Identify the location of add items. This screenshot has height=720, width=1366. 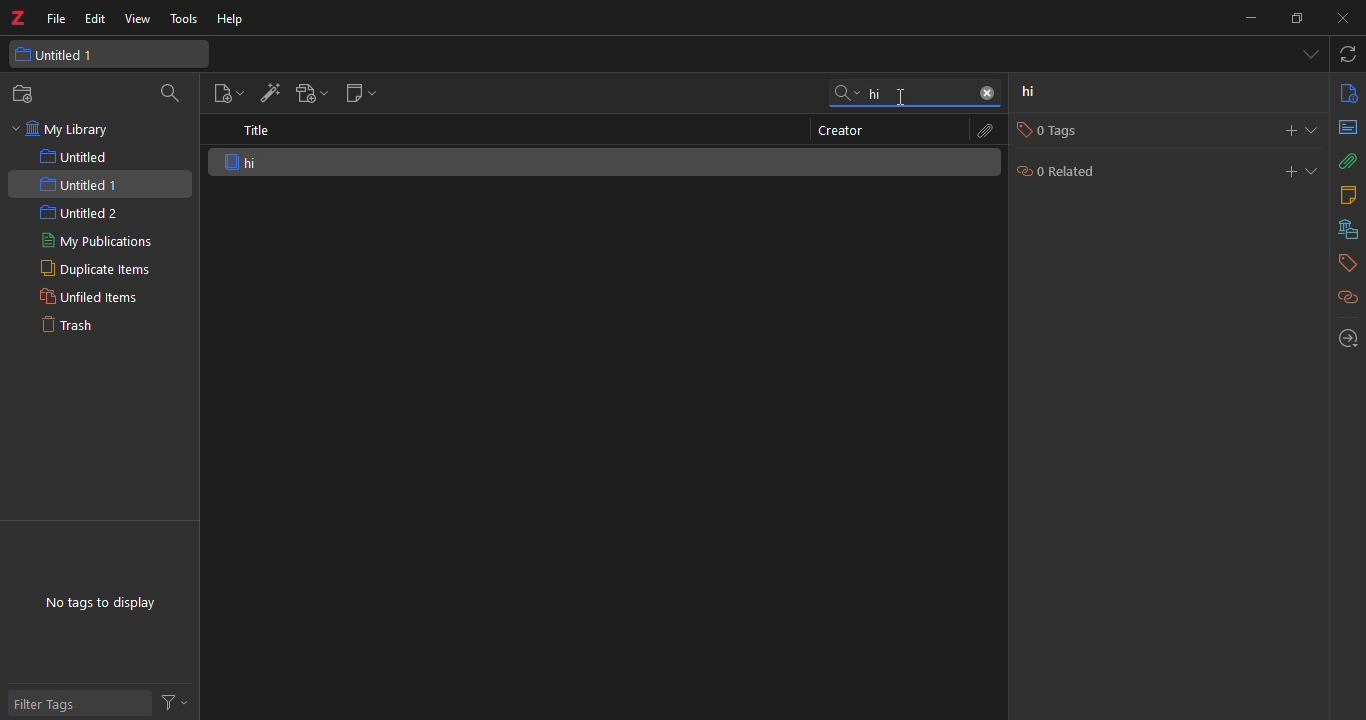
(268, 94).